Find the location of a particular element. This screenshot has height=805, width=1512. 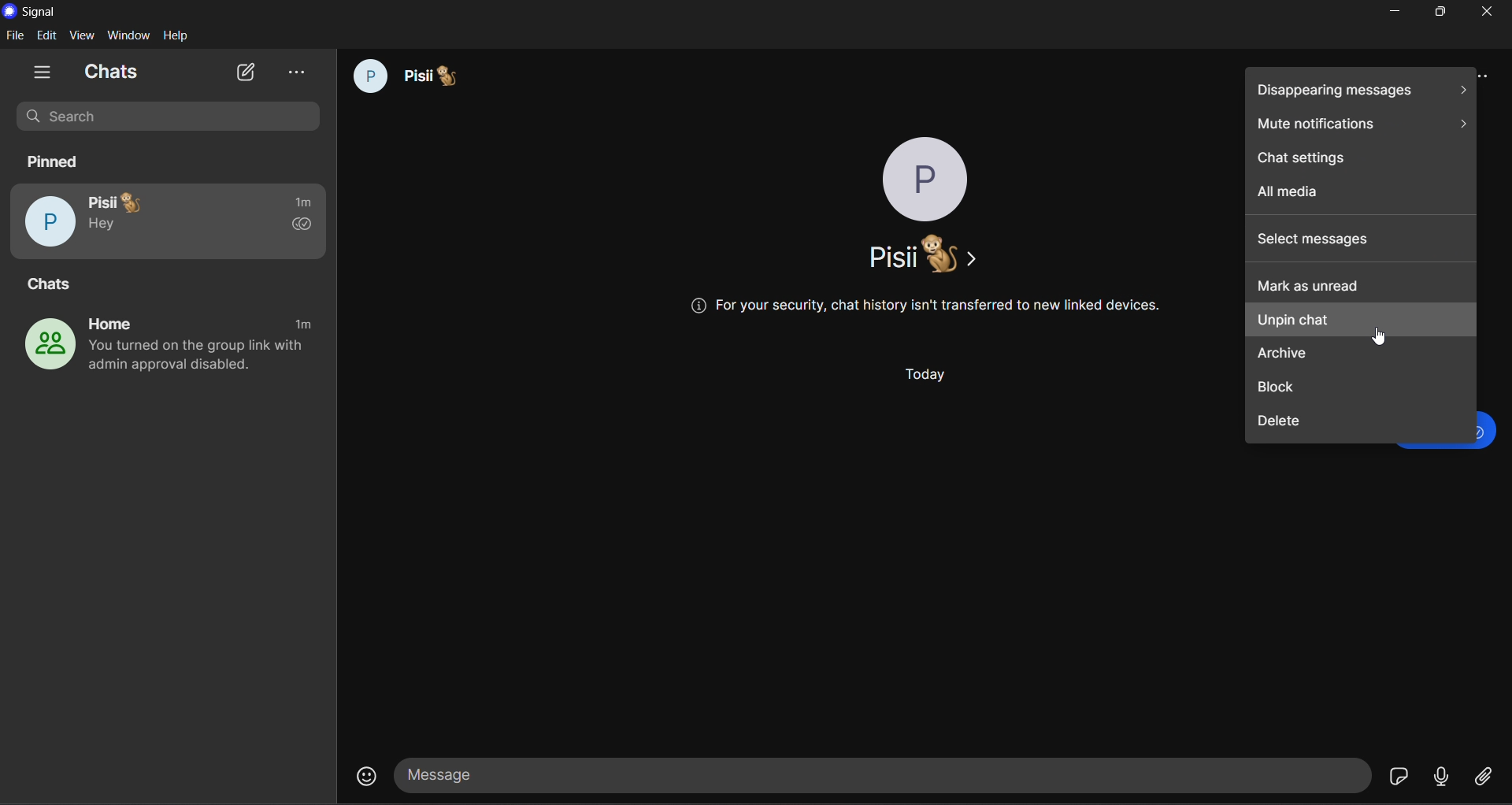

title is located at coordinates (43, 13).